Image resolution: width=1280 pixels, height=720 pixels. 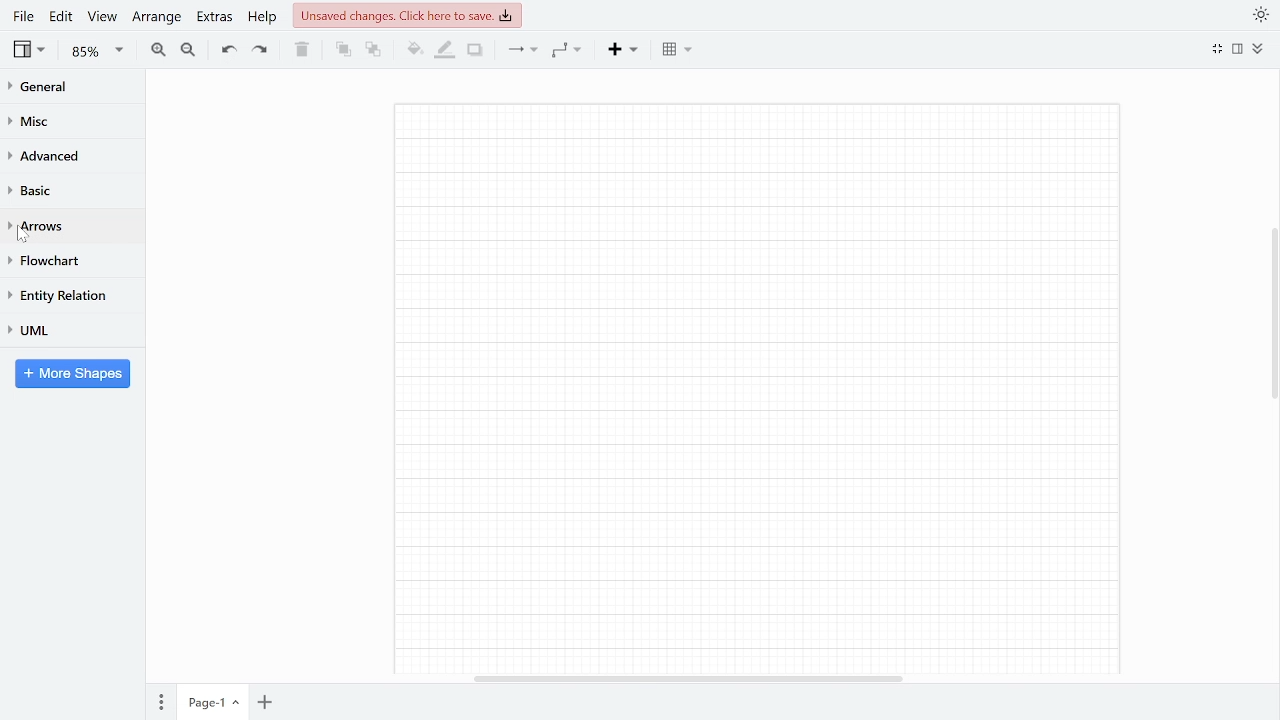 I want to click on Canvas, so click(x=772, y=387).